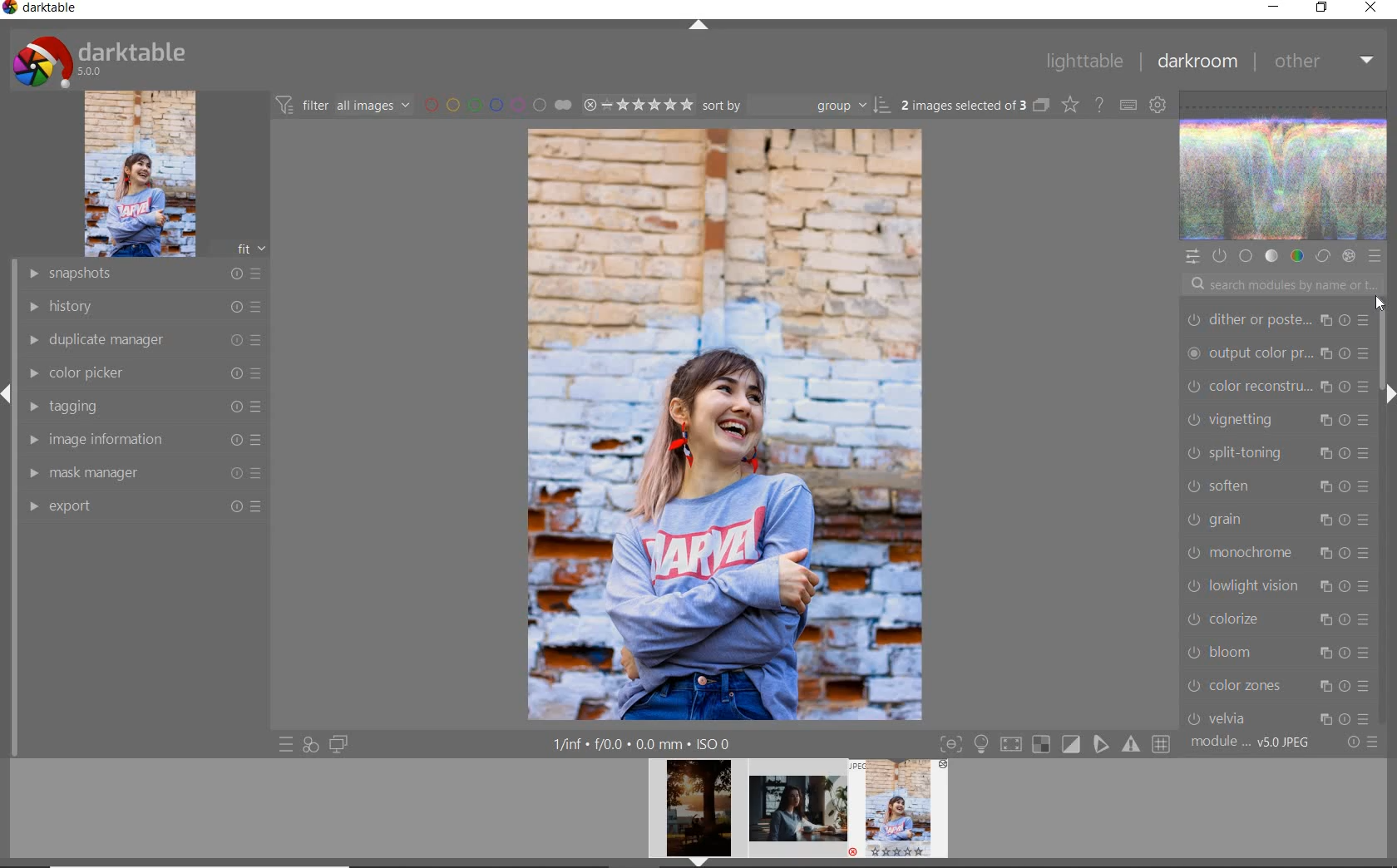 This screenshot has height=868, width=1397. I want to click on module order, so click(1252, 742).